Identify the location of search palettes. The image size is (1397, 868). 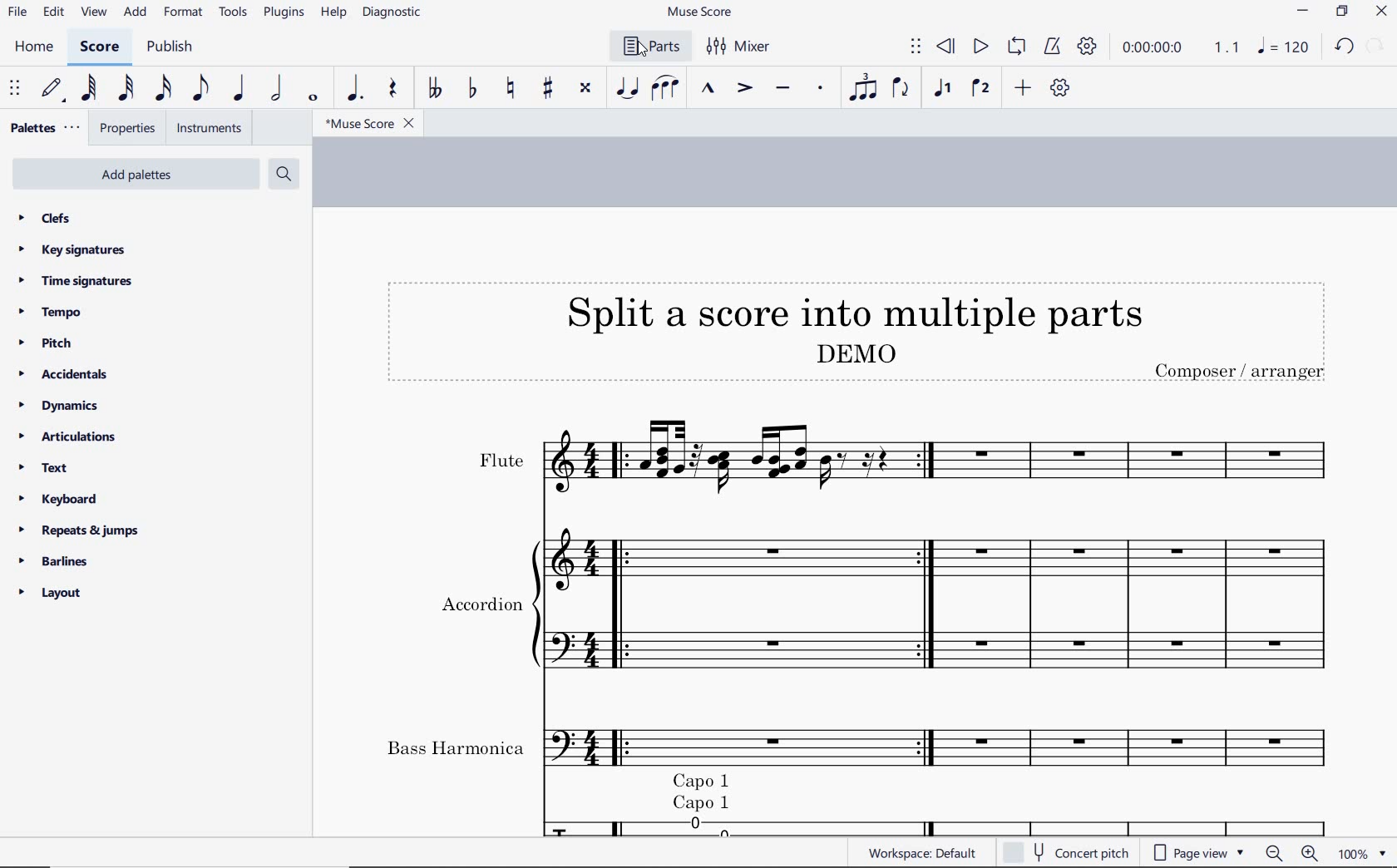
(282, 175).